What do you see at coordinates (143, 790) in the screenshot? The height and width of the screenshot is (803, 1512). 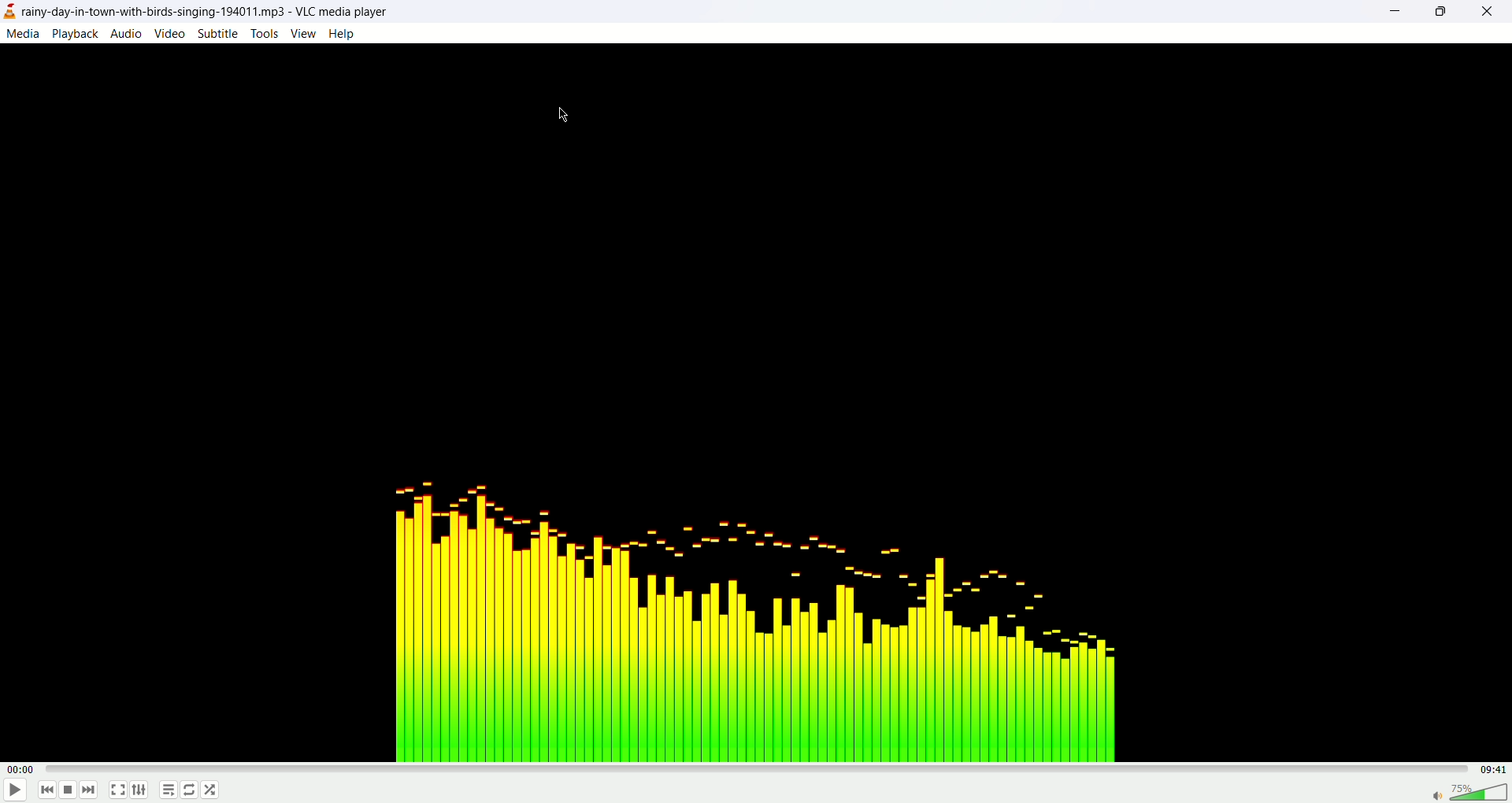 I see `extended settings` at bounding box center [143, 790].